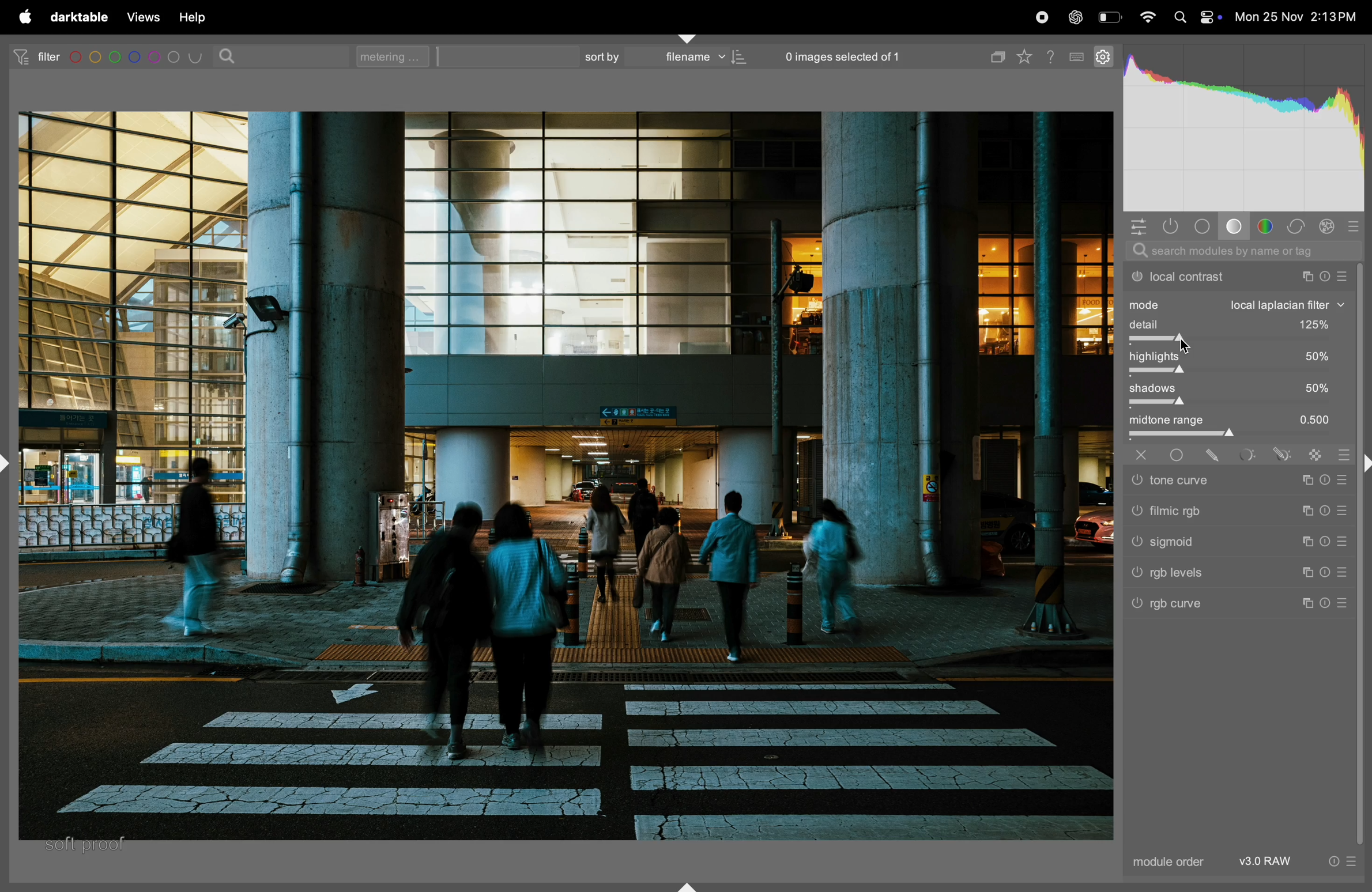 The height and width of the screenshot is (892, 1372). What do you see at coordinates (1326, 543) in the screenshot?
I see `reset` at bounding box center [1326, 543].